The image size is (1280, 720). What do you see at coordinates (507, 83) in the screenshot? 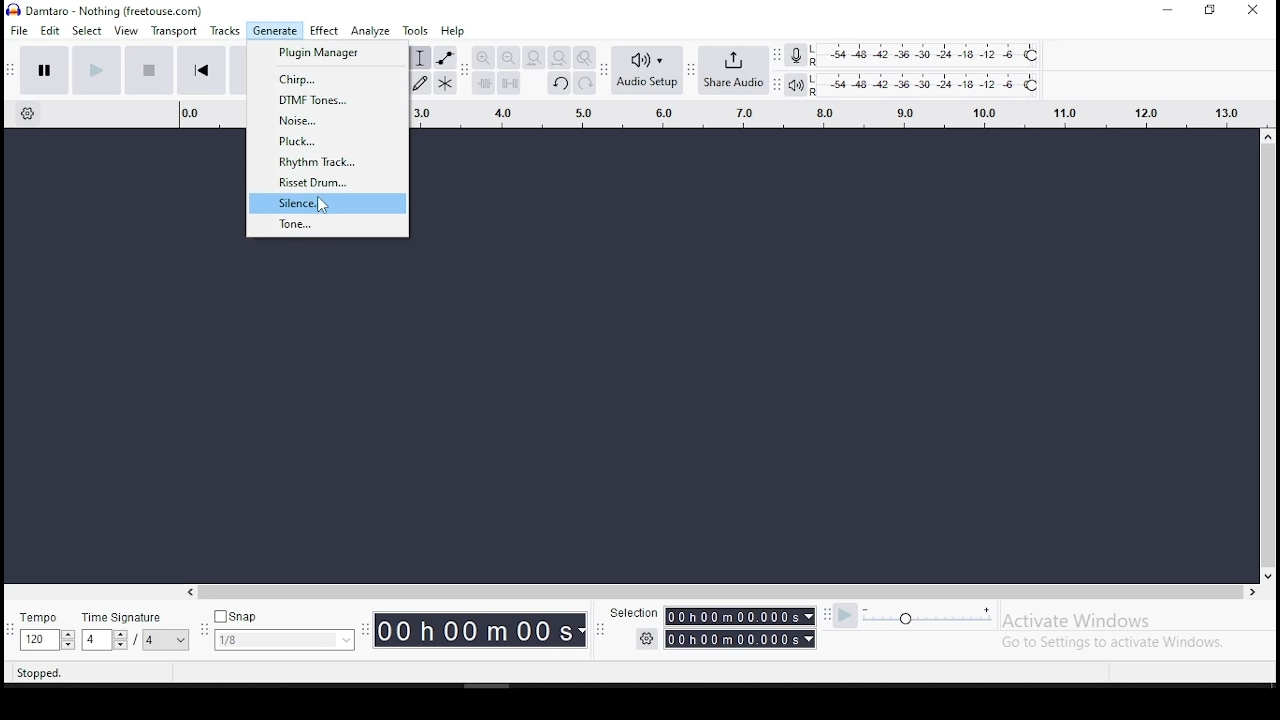
I see `silence audio signal` at bounding box center [507, 83].